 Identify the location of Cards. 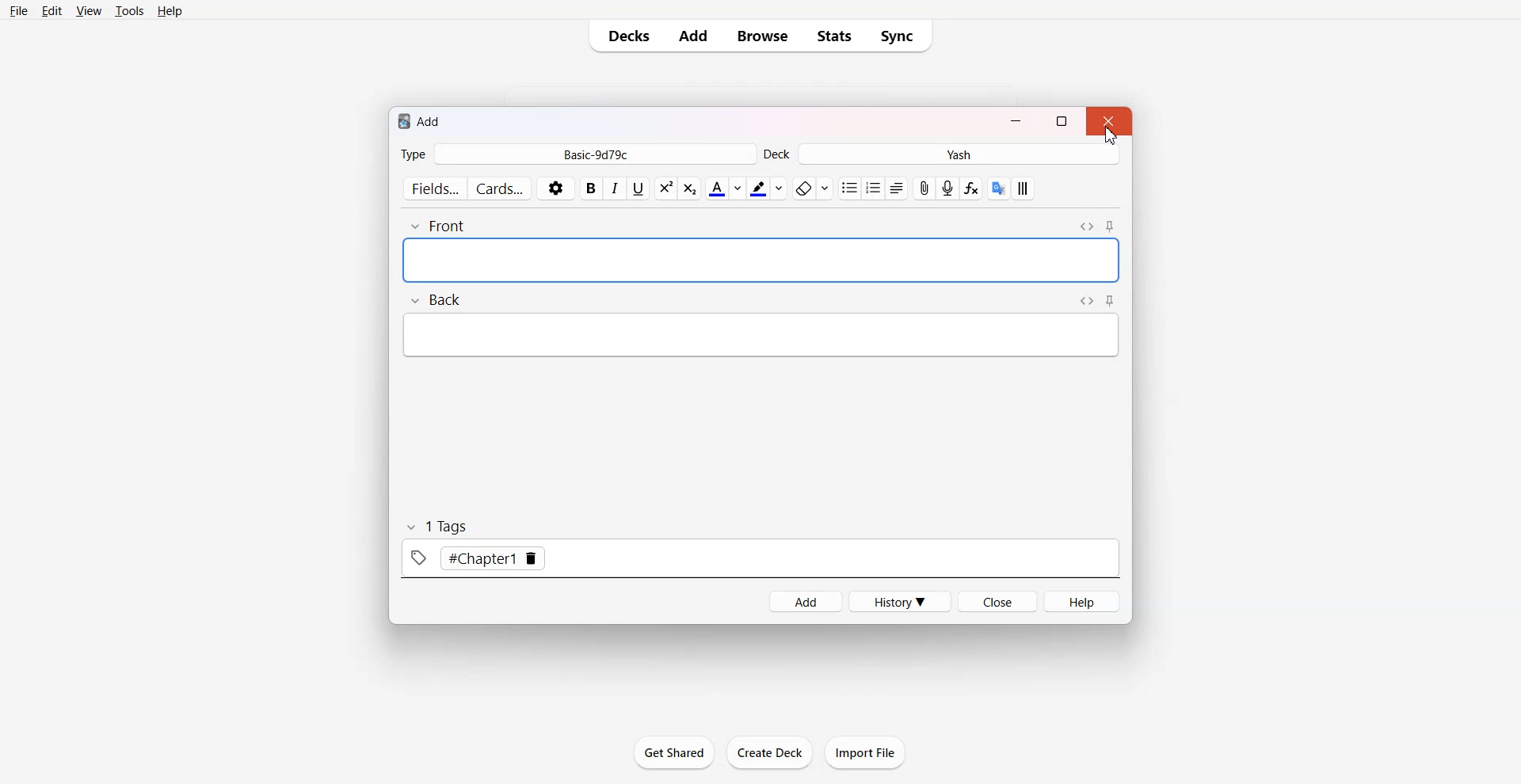
(501, 187).